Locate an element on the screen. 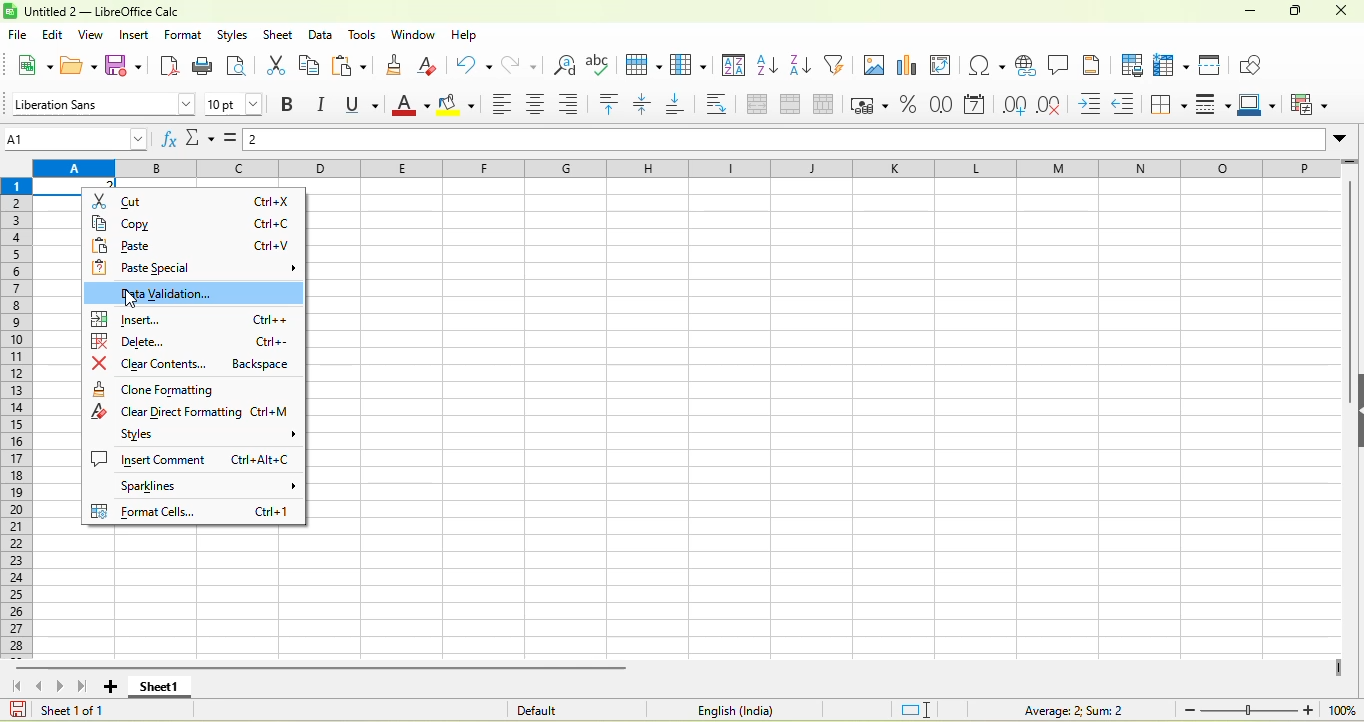  auto filter is located at coordinates (841, 64).